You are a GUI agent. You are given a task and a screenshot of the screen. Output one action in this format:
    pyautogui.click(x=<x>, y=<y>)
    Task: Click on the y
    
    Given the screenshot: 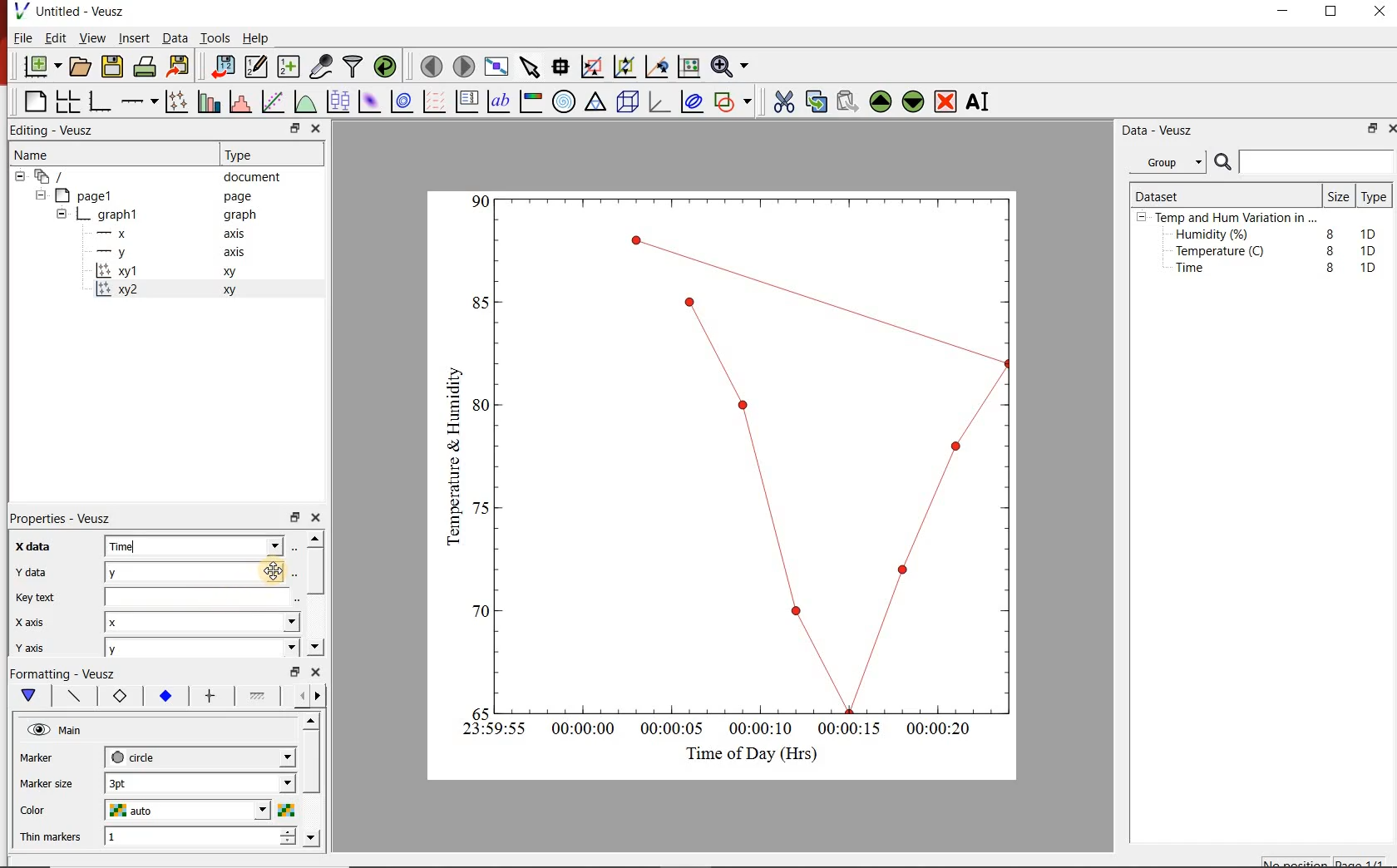 What is the action you would take?
    pyautogui.click(x=151, y=572)
    